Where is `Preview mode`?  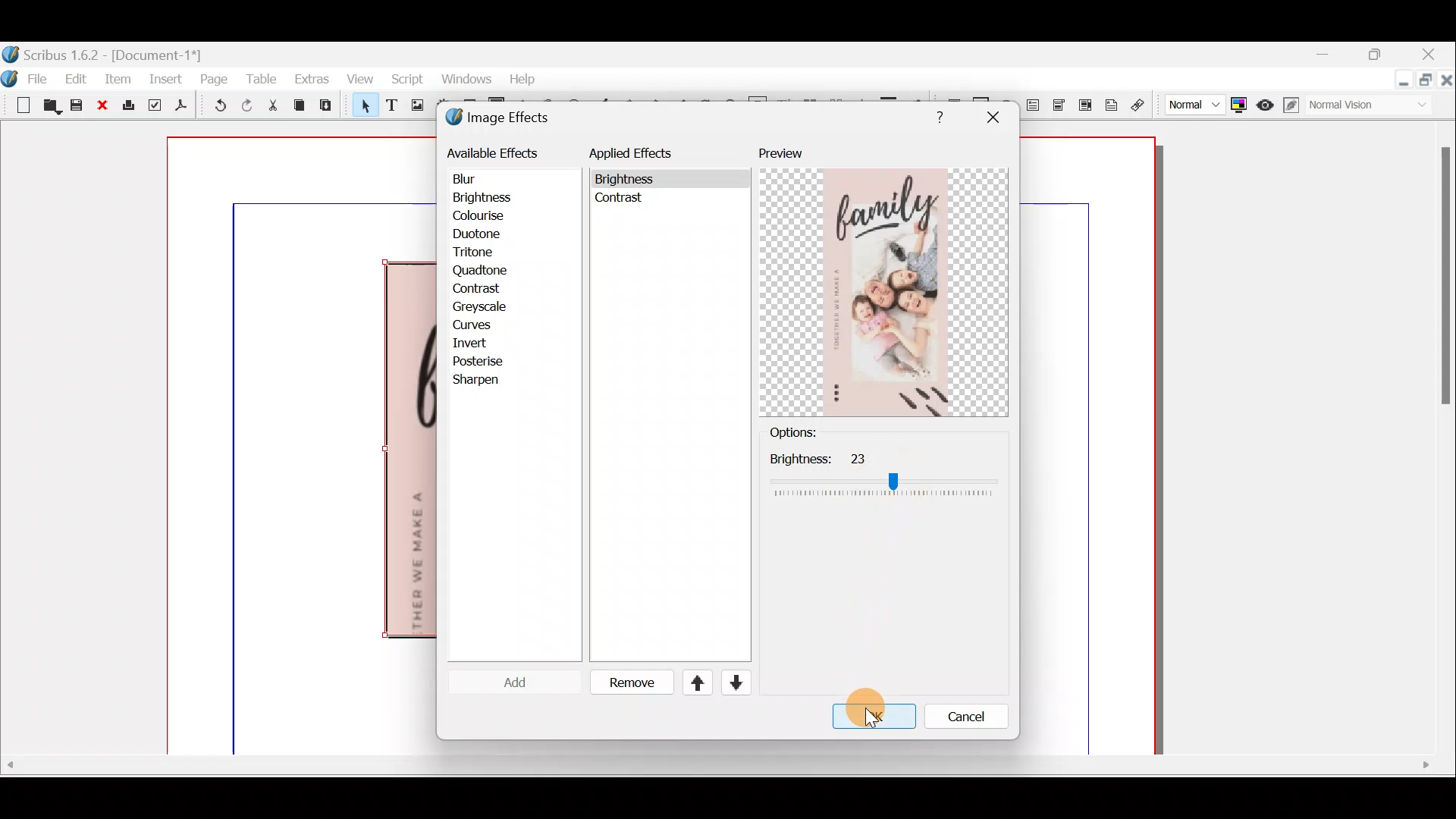 Preview mode is located at coordinates (1266, 102).